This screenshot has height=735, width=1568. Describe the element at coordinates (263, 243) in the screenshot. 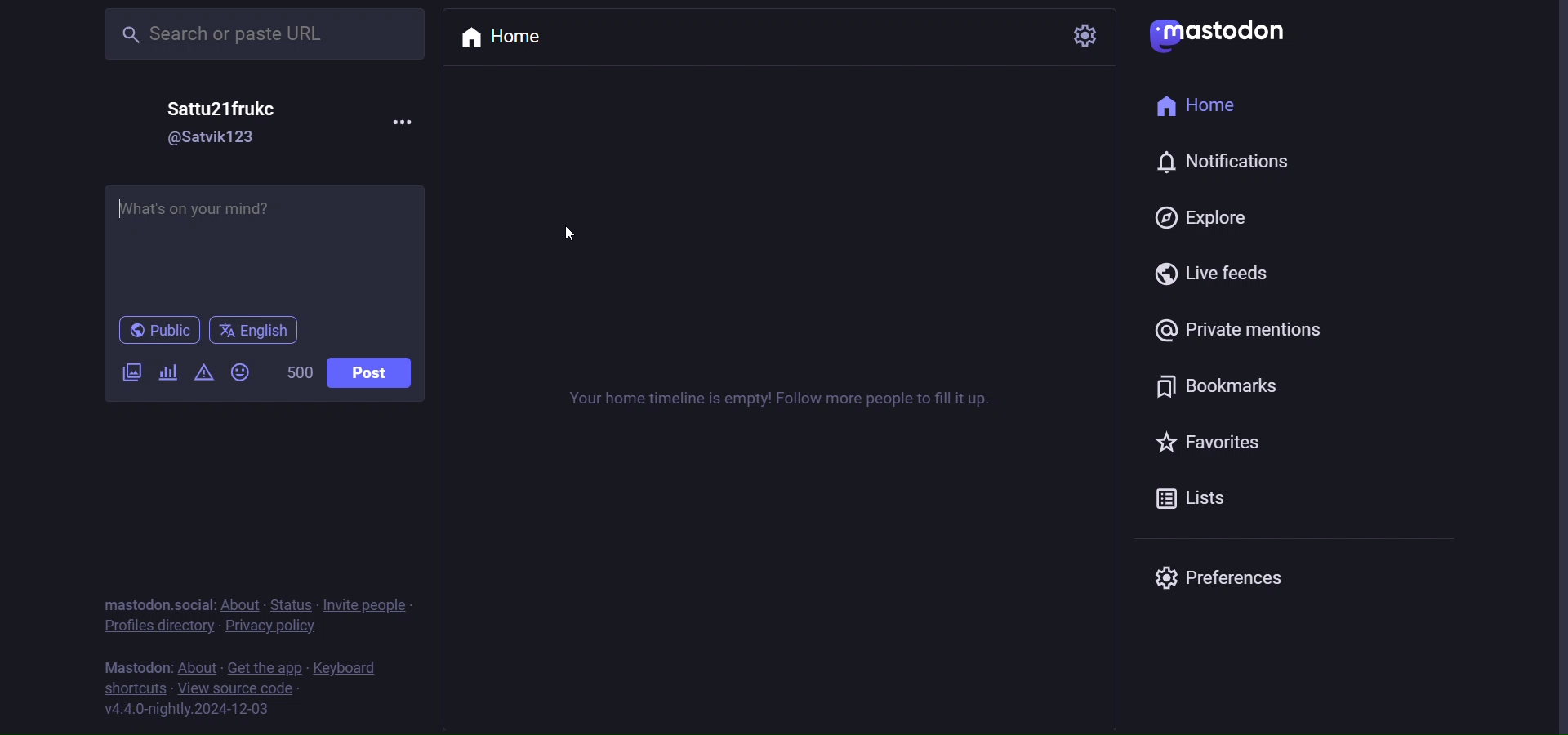

I see `write here` at that location.